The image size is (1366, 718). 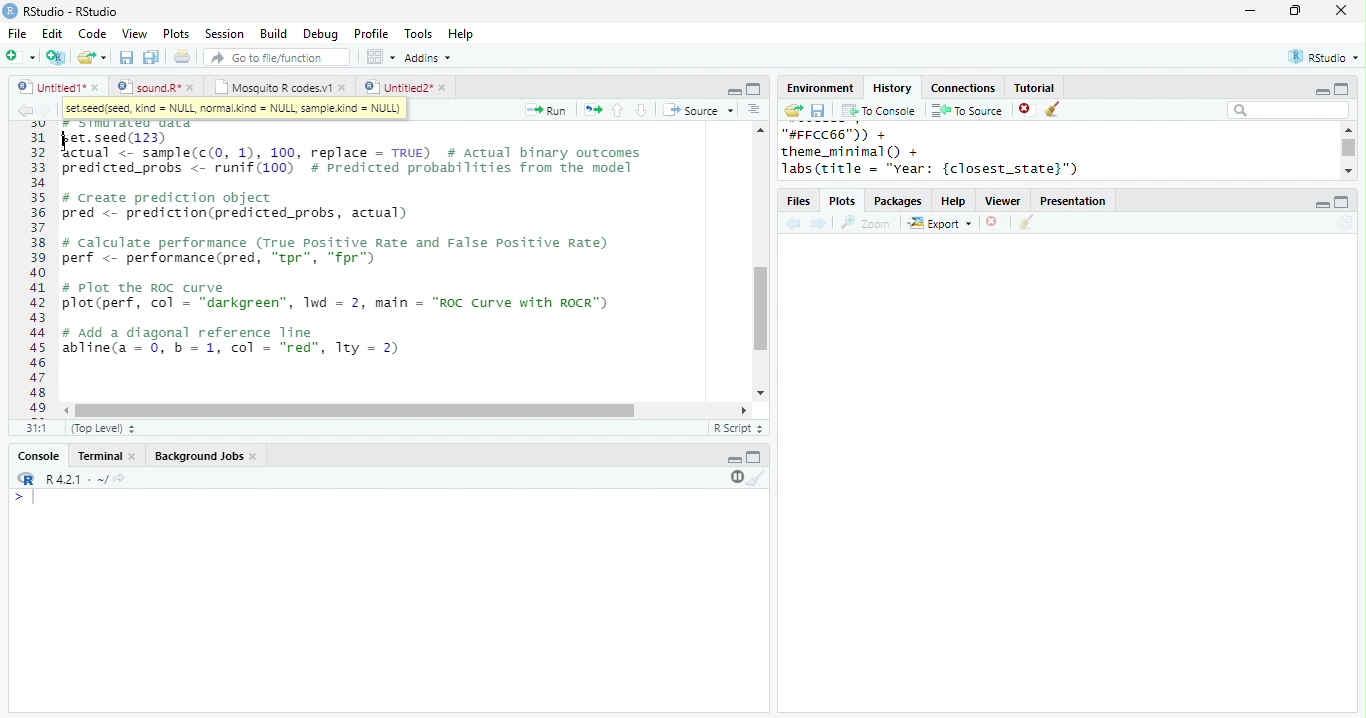 I want to click on Profile, so click(x=371, y=33).